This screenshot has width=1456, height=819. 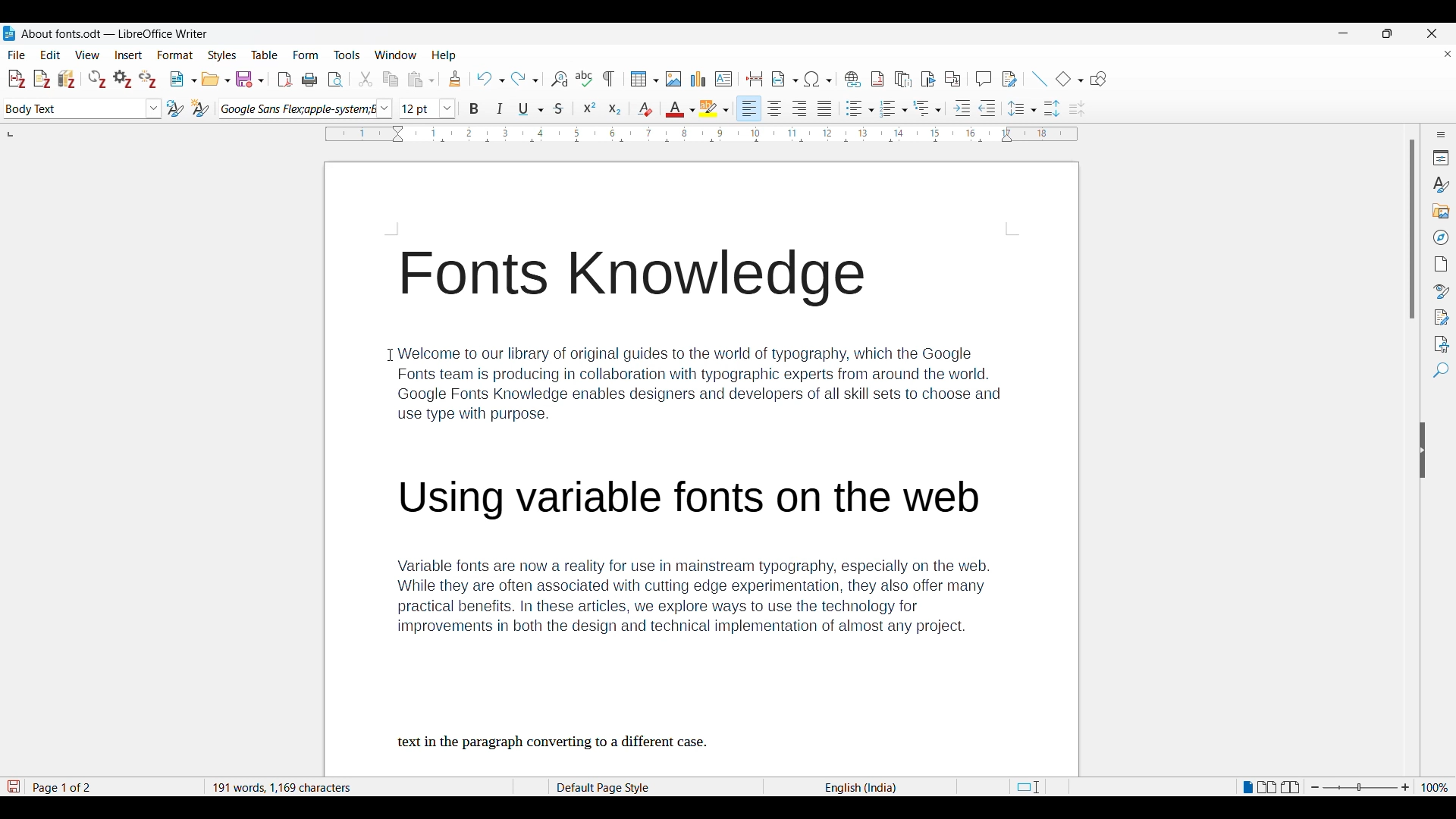 What do you see at coordinates (147, 79) in the screenshot?
I see `Unlink citations` at bounding box center [147, 79].